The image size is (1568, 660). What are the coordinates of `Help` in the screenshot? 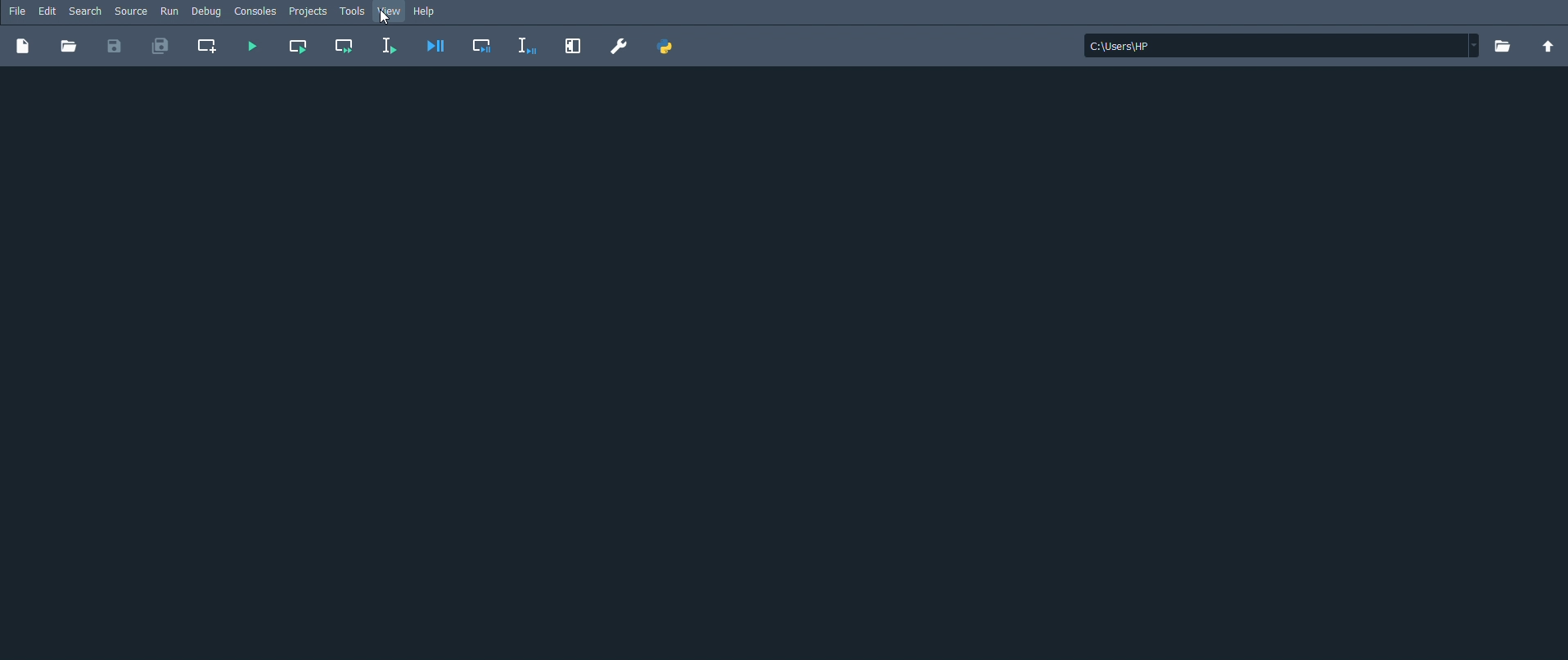 It's located at (428, 12).